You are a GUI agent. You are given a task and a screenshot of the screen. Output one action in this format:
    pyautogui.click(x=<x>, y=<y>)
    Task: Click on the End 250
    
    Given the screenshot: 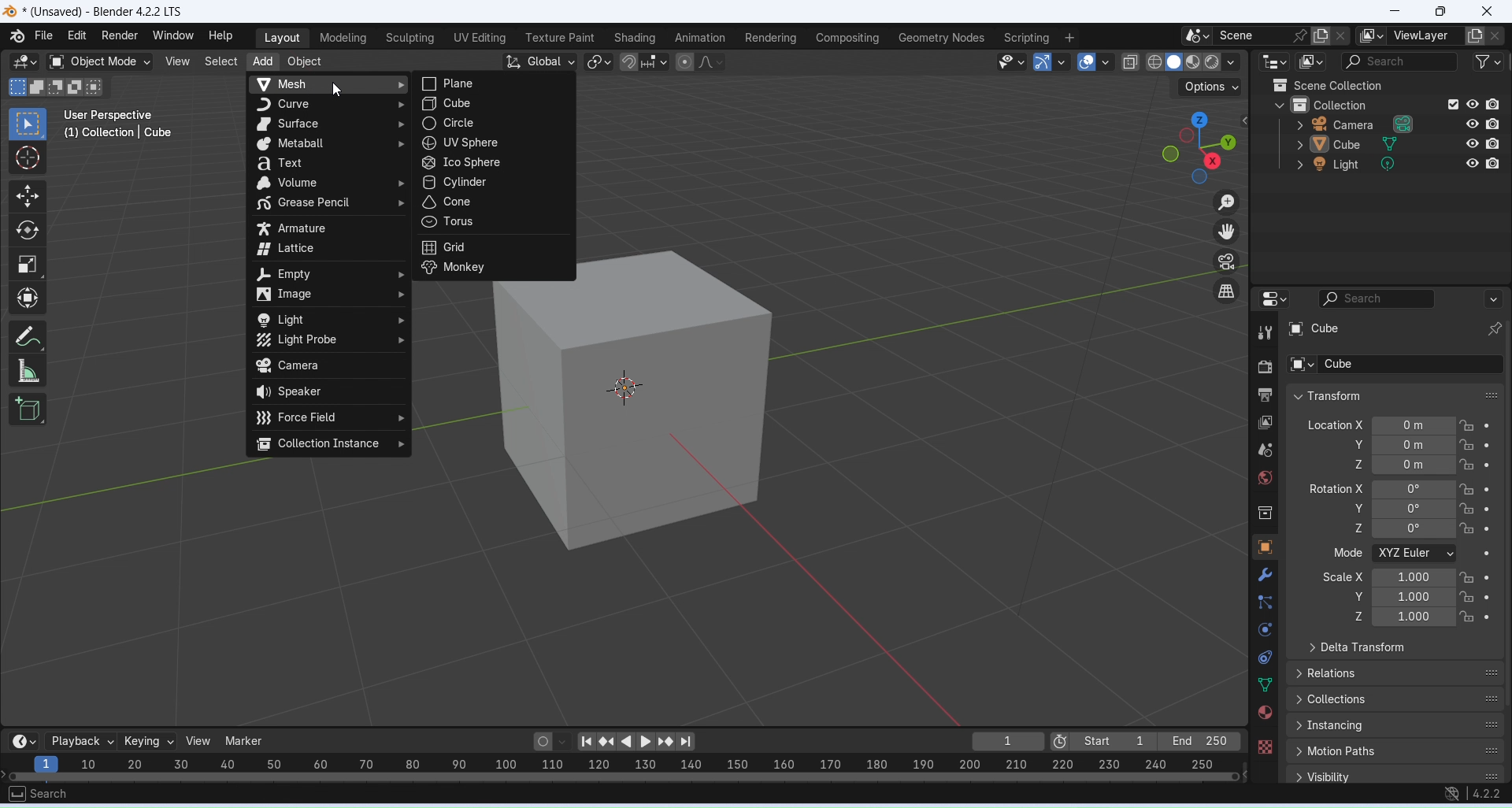 What is the action you would take?
    pyautogui.click(x=1198, y=741)
    